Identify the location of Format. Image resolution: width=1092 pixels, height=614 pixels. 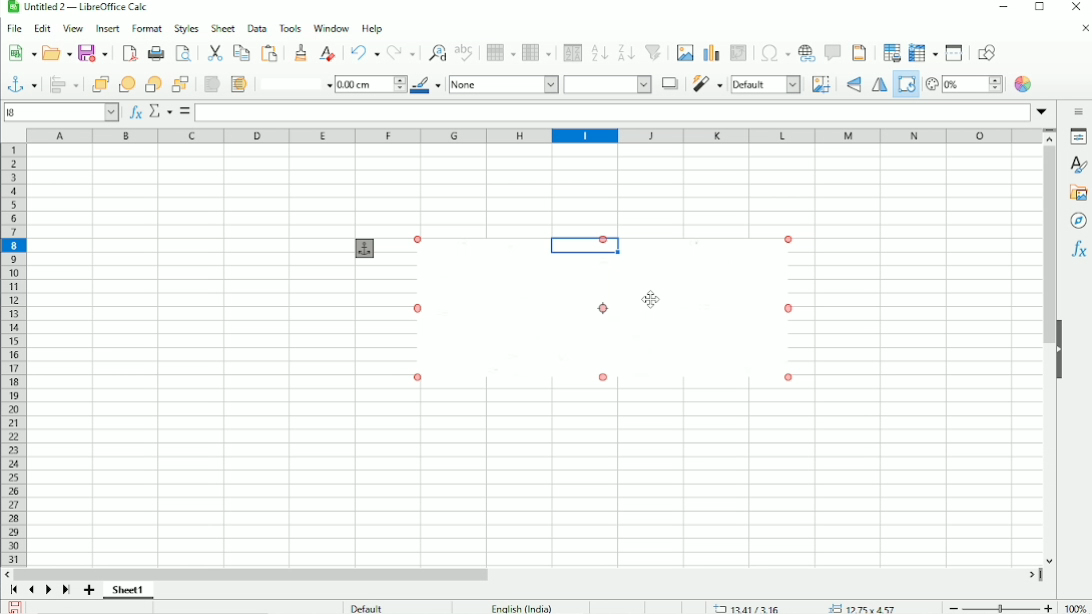
(146, 28).